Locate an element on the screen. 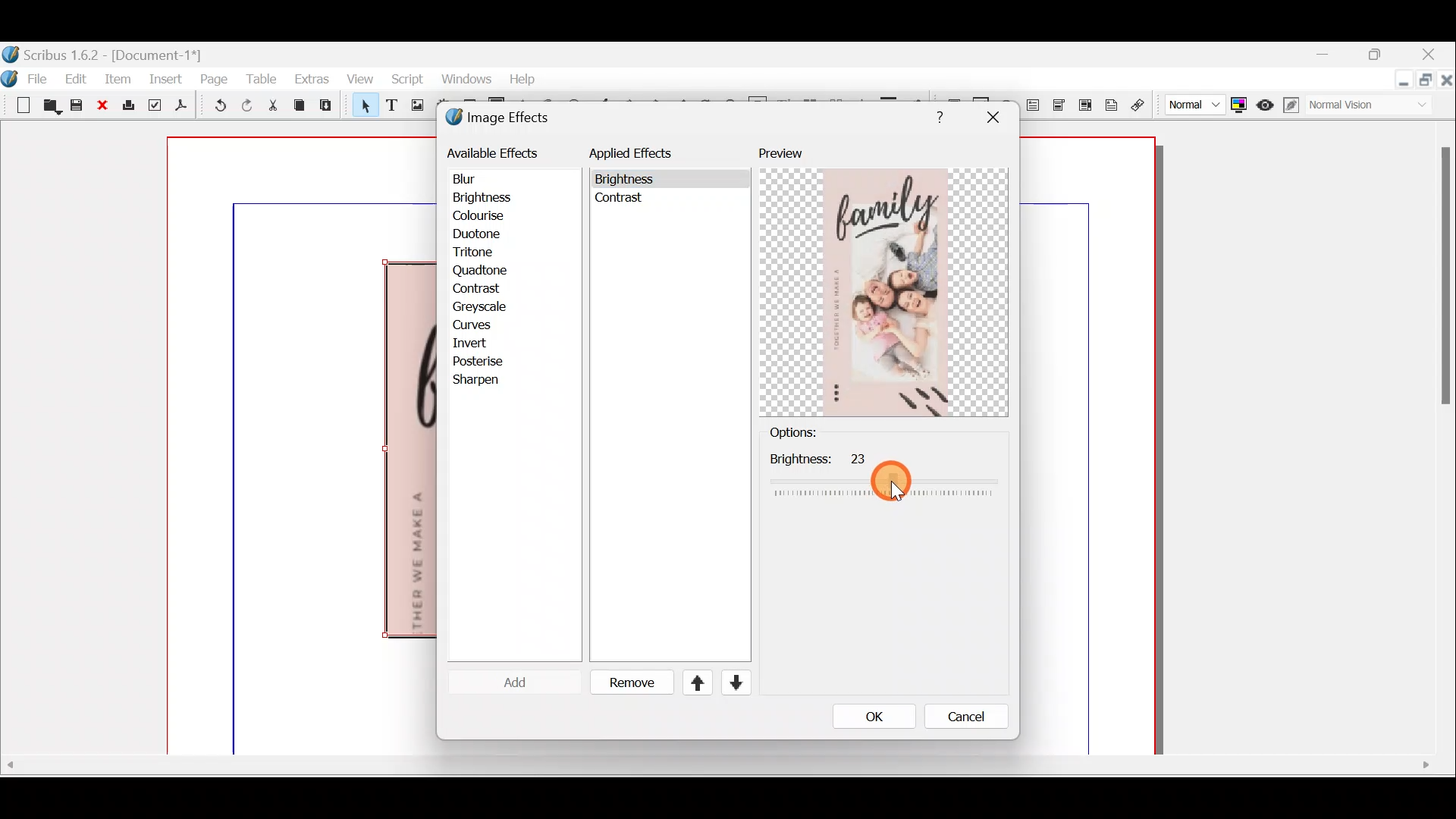 Image resolution: width=1456 pixels, height=819 pixels. New is located at coordinates (17, 104).